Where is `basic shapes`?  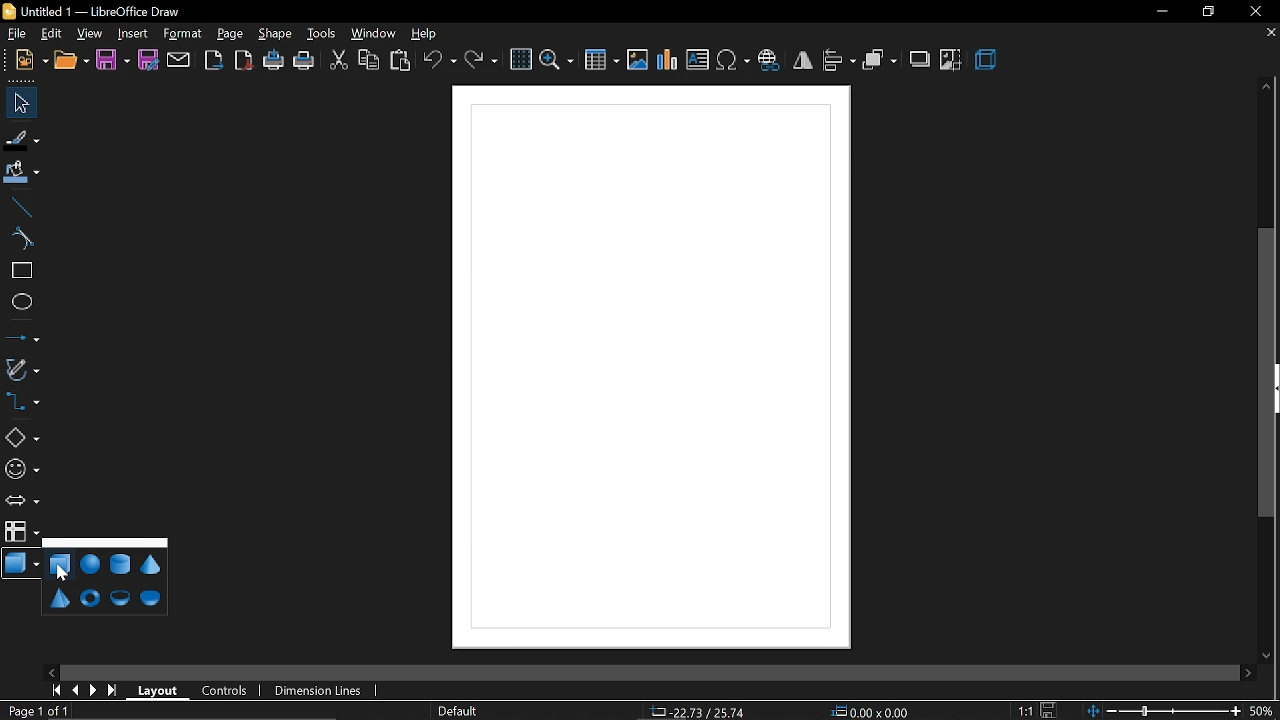 basic shapes is located at coordinates (22, 436).